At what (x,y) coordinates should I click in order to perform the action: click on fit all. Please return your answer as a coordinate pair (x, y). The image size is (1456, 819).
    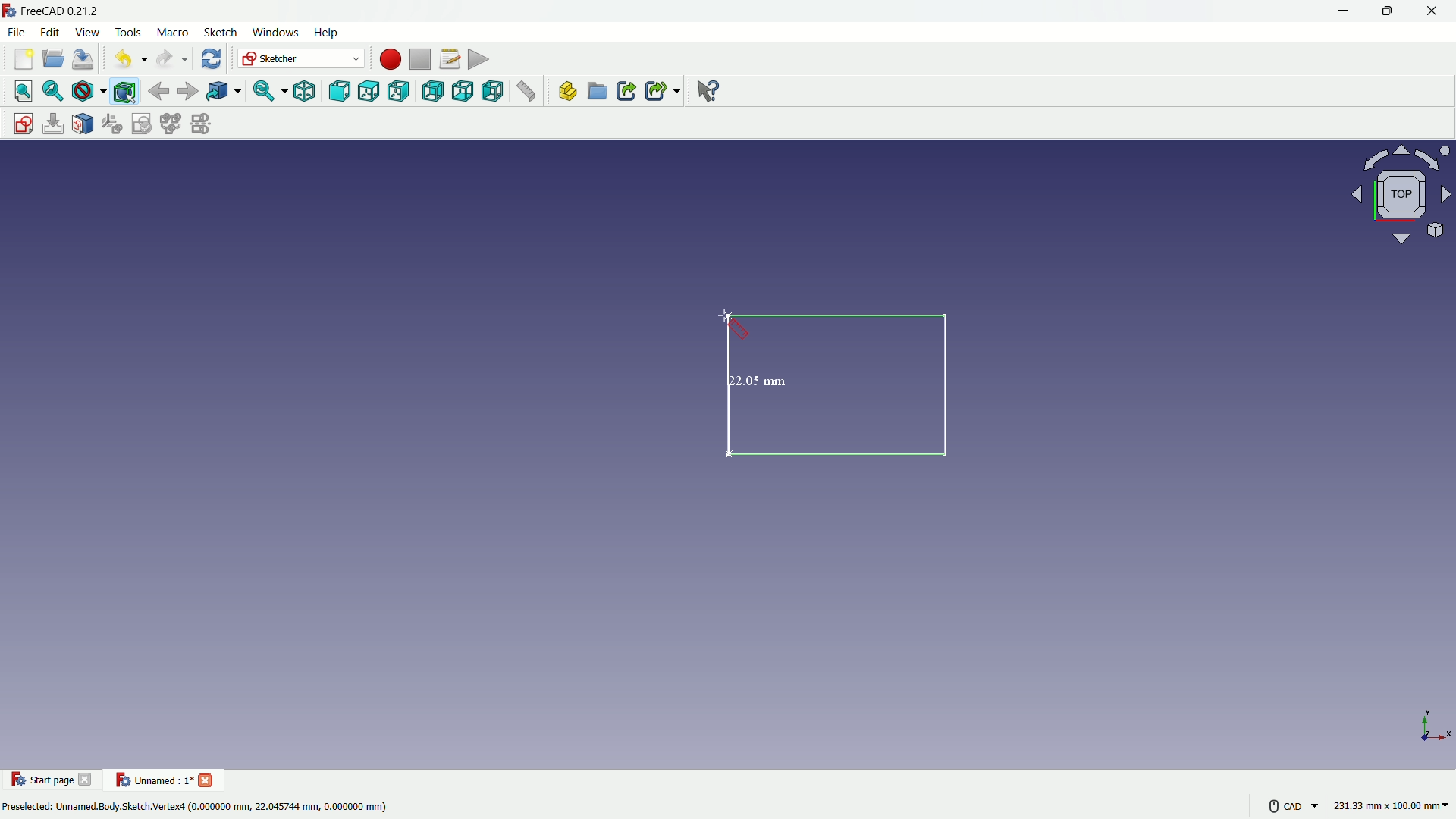
    Looking at the image, I should click on (20, 91).